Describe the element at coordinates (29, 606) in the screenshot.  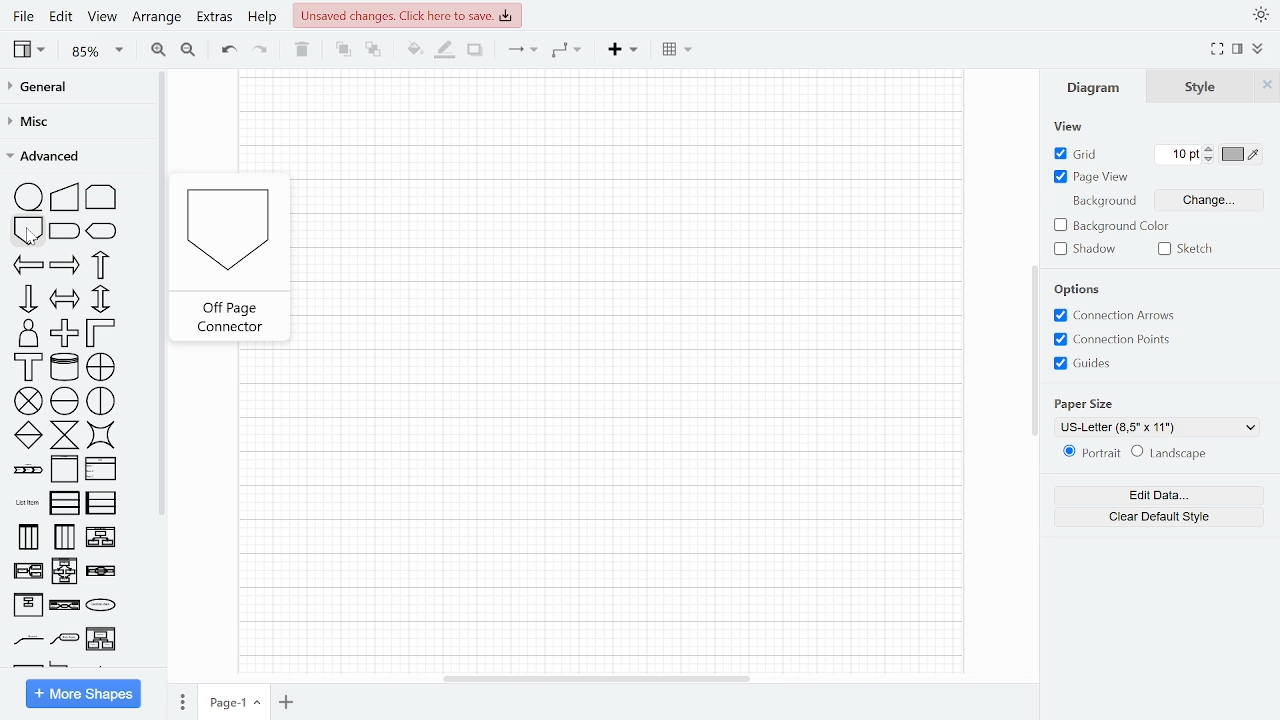
I see `mind map` at that location.